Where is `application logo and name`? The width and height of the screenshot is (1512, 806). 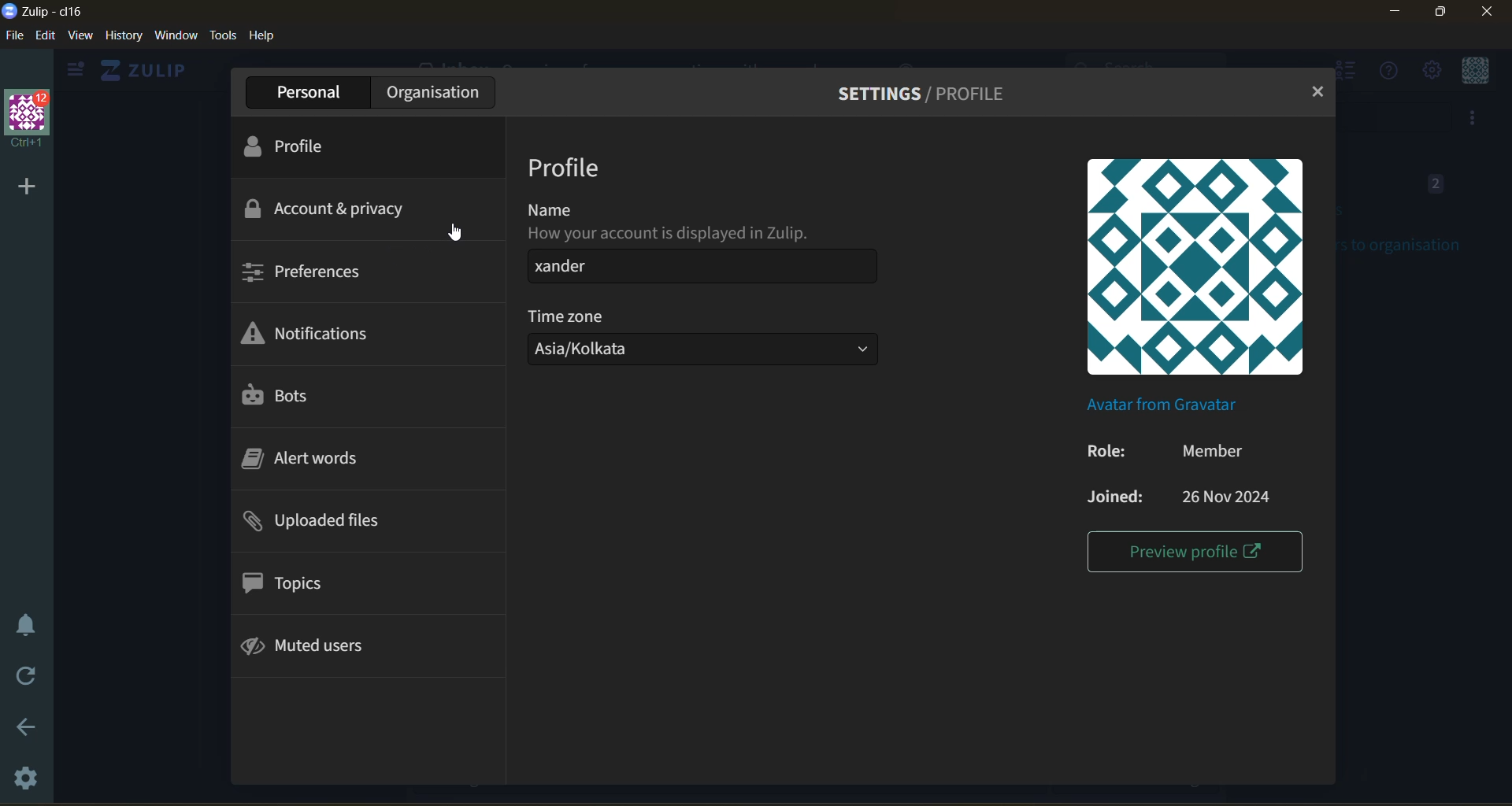 application logo and name is located at coordinates (47, 10).